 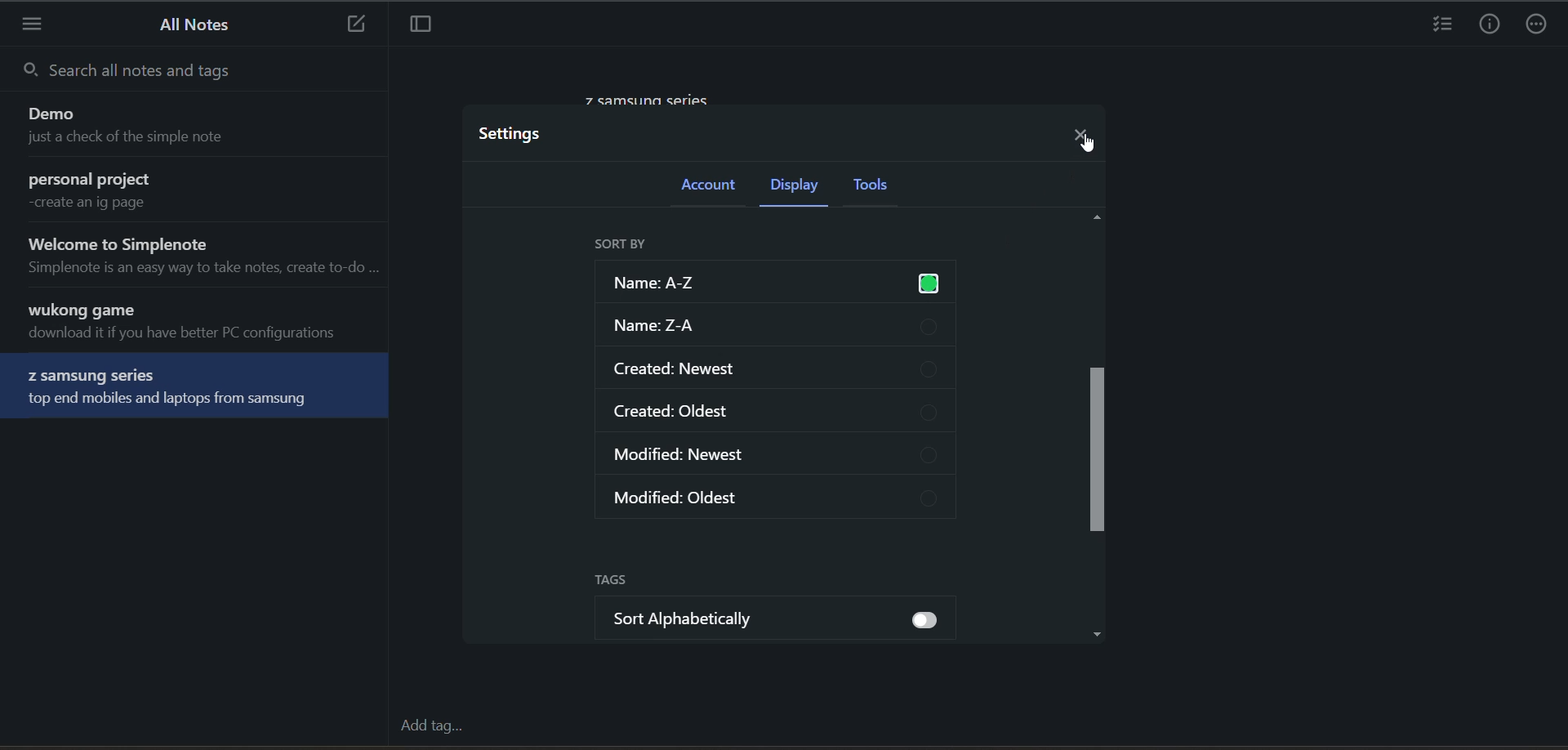 I want to click on sort by, so click(x=623, y=245).